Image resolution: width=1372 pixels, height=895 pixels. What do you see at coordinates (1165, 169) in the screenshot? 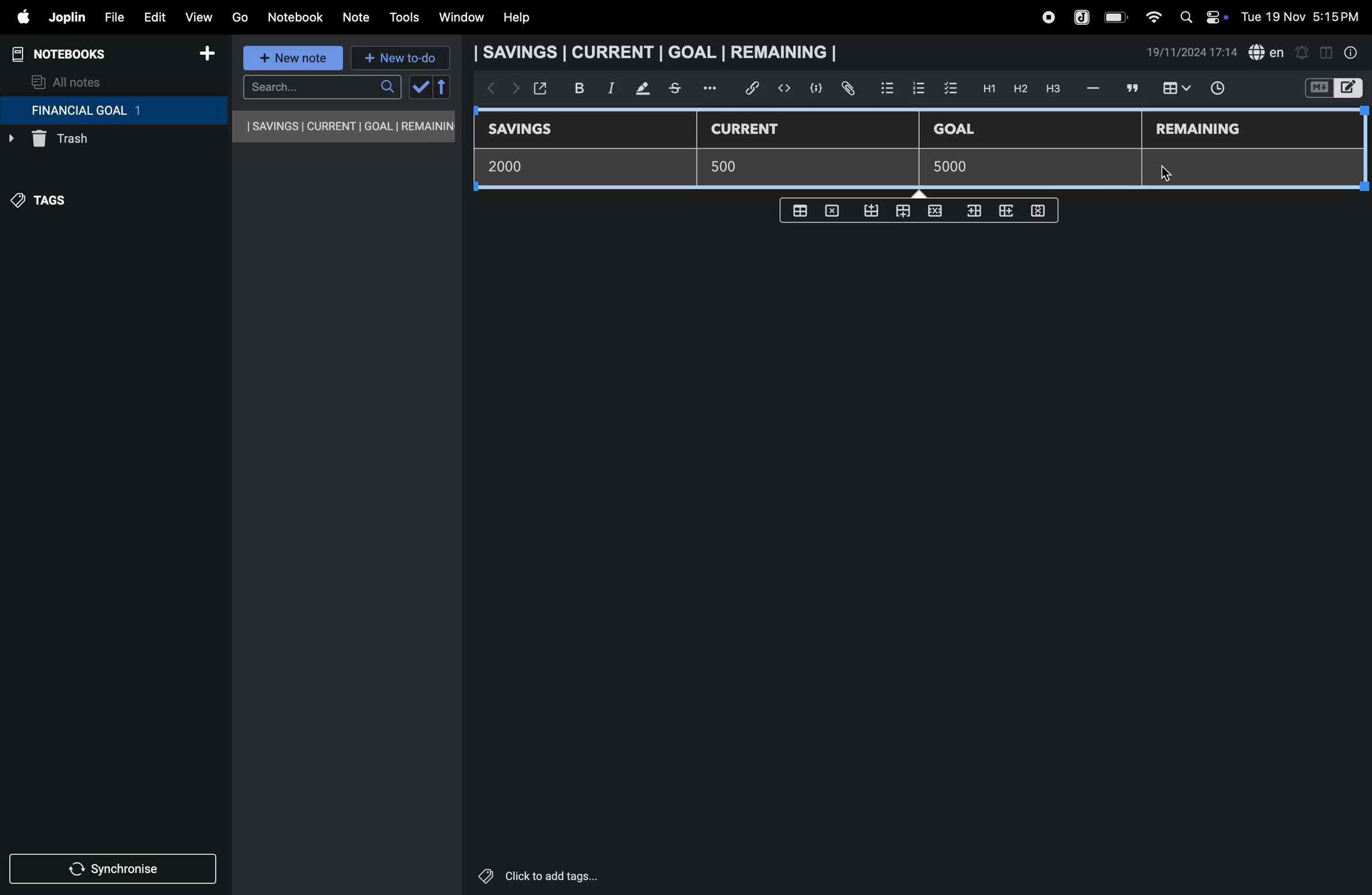
I see `cursor` at bounding box center [1165, 169].